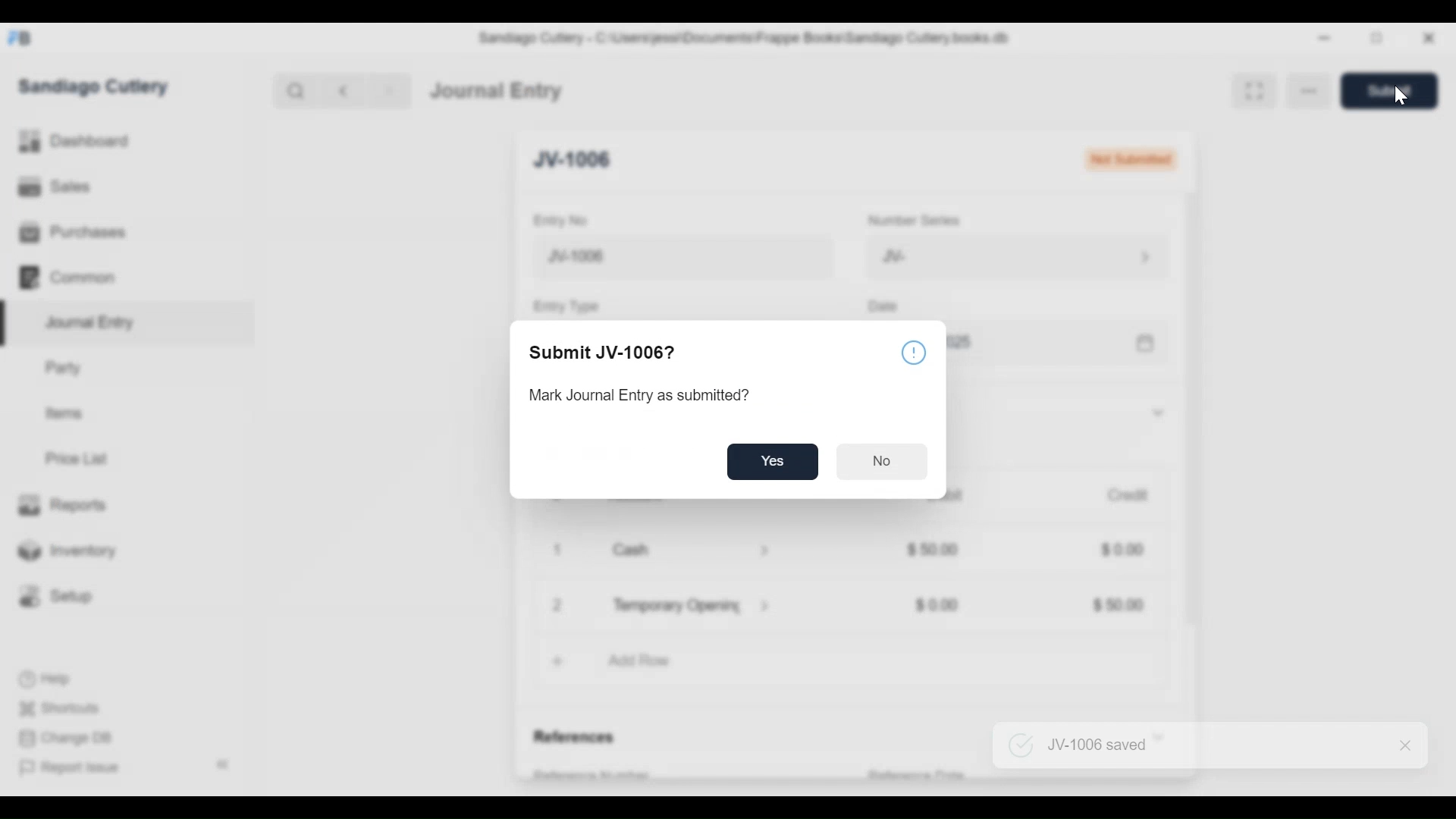  Describe the element at coordinates (607, 354) in the screenshot. I see `Submit JV-1006?` at that location.